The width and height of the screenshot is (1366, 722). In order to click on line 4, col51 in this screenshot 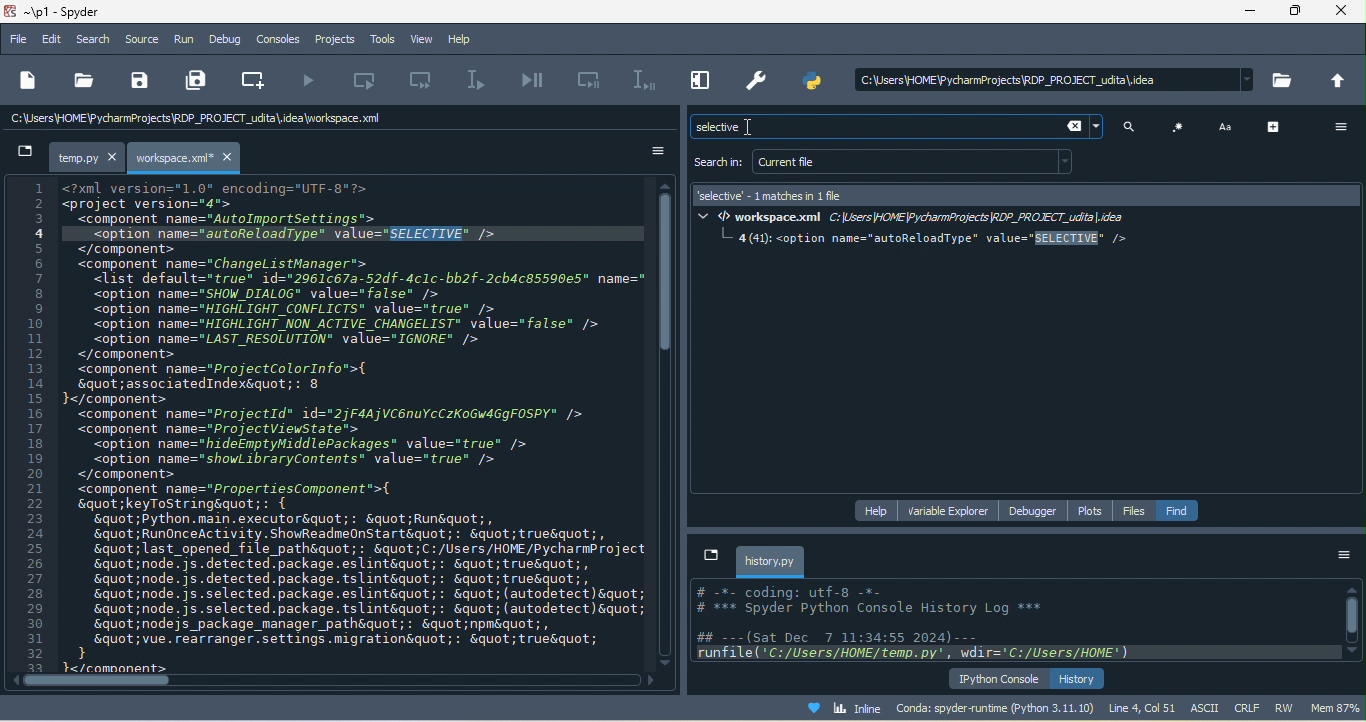, I will do `click(1142, 707)`.